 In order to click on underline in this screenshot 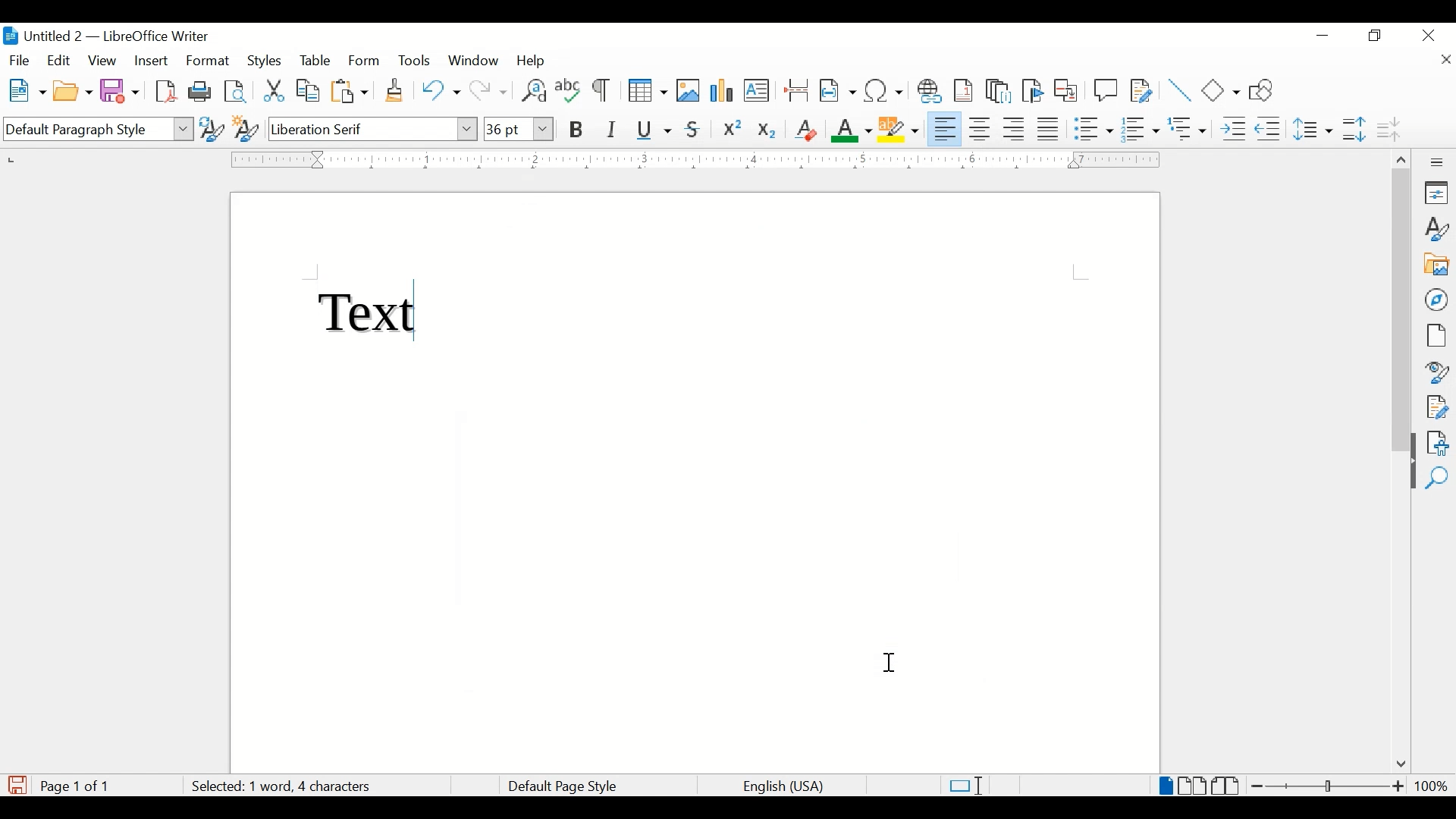, I will do `click(654, 130)`.